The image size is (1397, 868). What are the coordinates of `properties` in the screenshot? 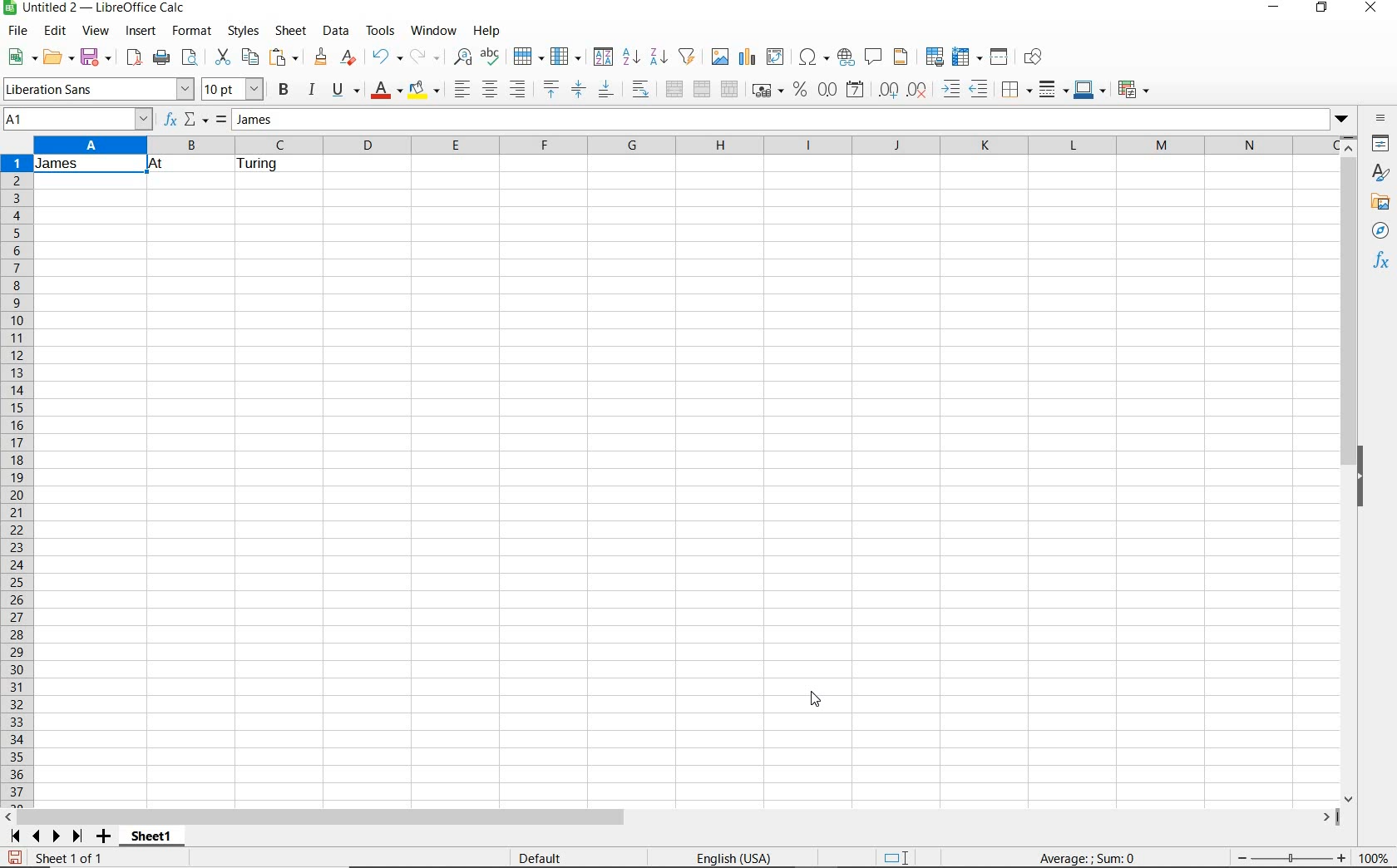 It's located at (1381, 143).